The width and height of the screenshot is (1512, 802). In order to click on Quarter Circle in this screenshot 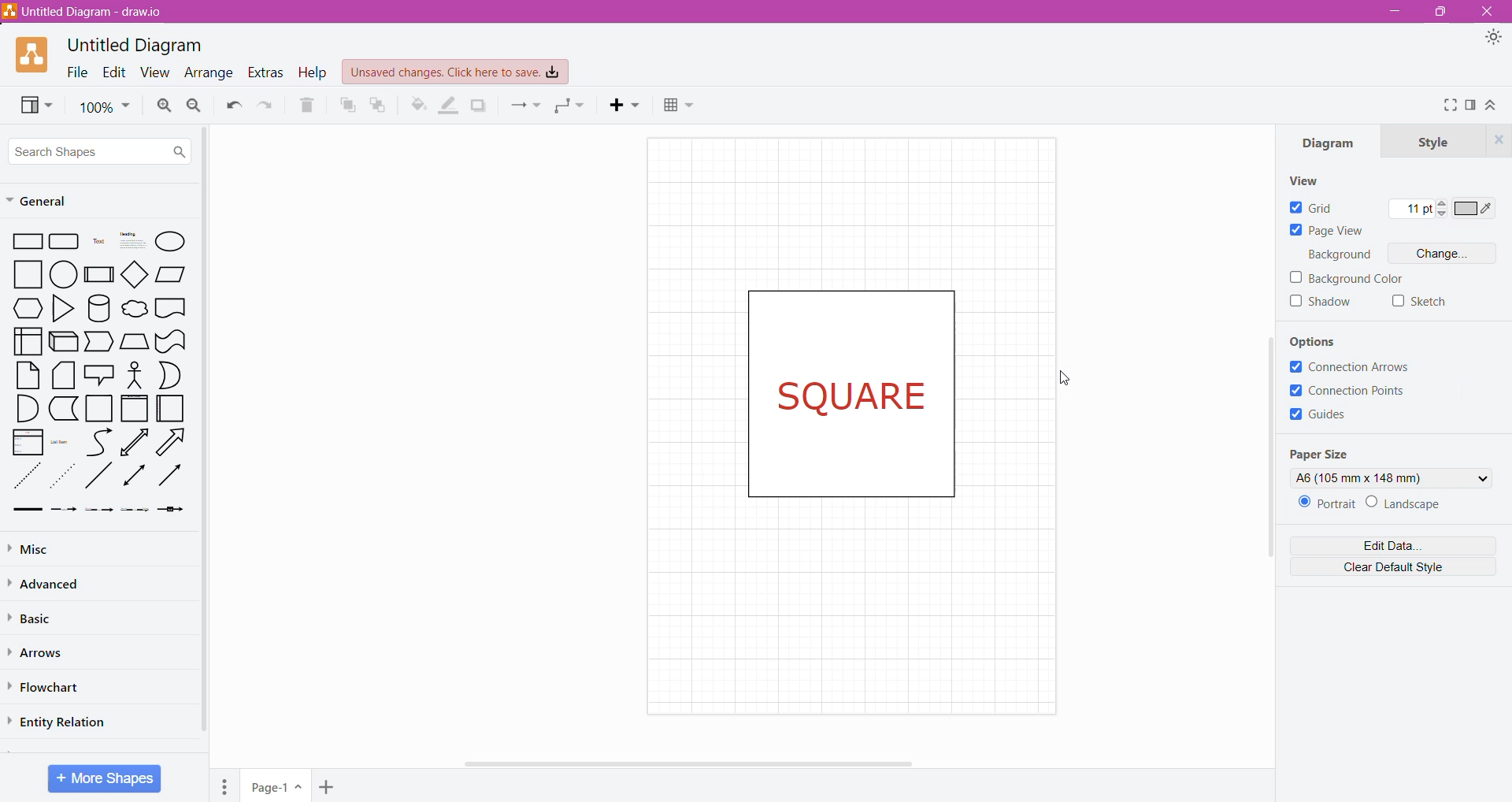, I will do `click(25, 407)`.